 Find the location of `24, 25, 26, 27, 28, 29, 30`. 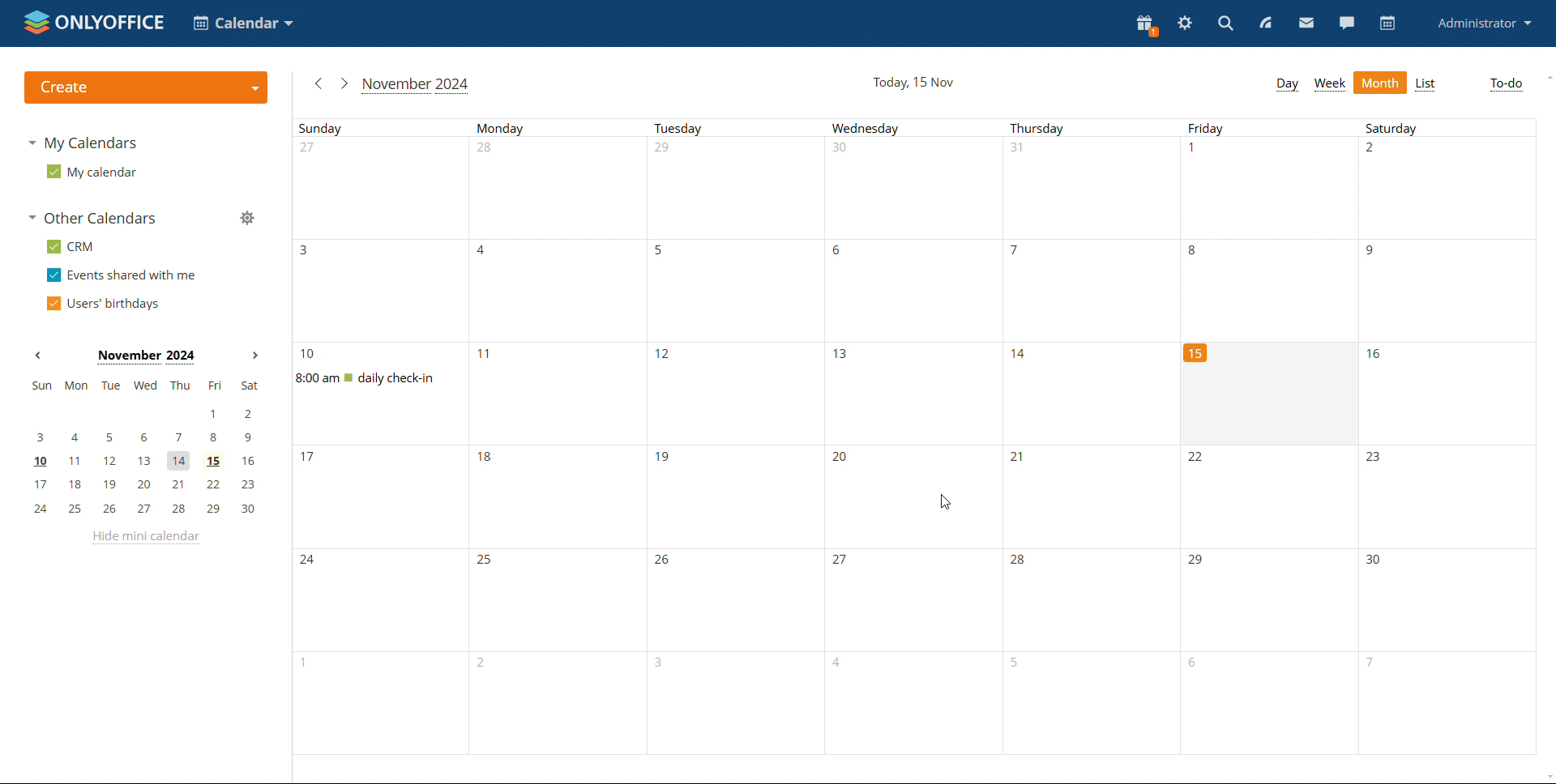

24, 25, 26, 27, 28, 29, 30 is located at coordinates (143, 507).